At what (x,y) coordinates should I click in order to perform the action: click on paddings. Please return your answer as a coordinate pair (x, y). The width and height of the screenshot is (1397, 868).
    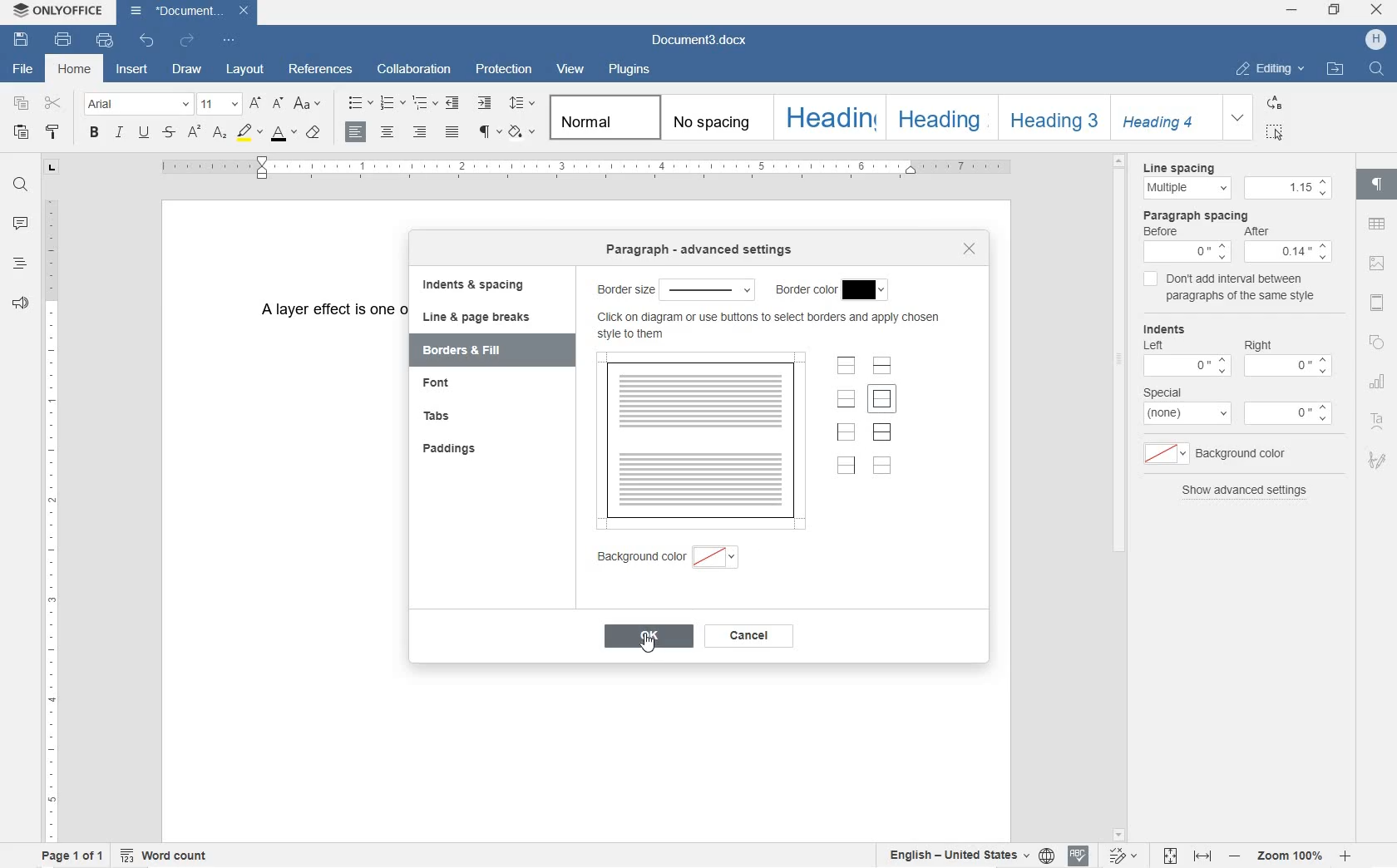
    Looking at the image, I should click on (470, 450).